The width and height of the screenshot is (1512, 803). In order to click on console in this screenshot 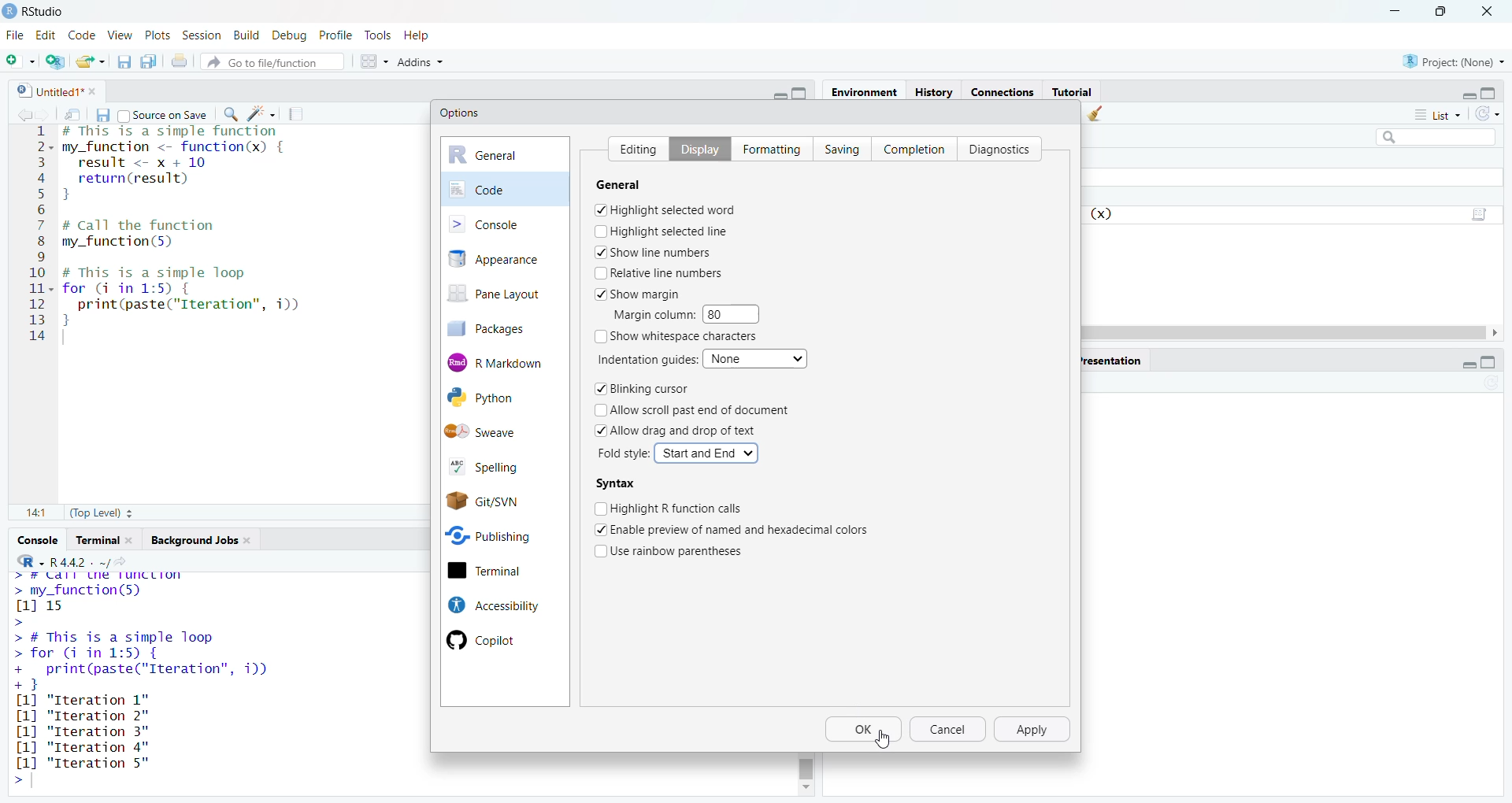, I will do `click(505, 223)`.